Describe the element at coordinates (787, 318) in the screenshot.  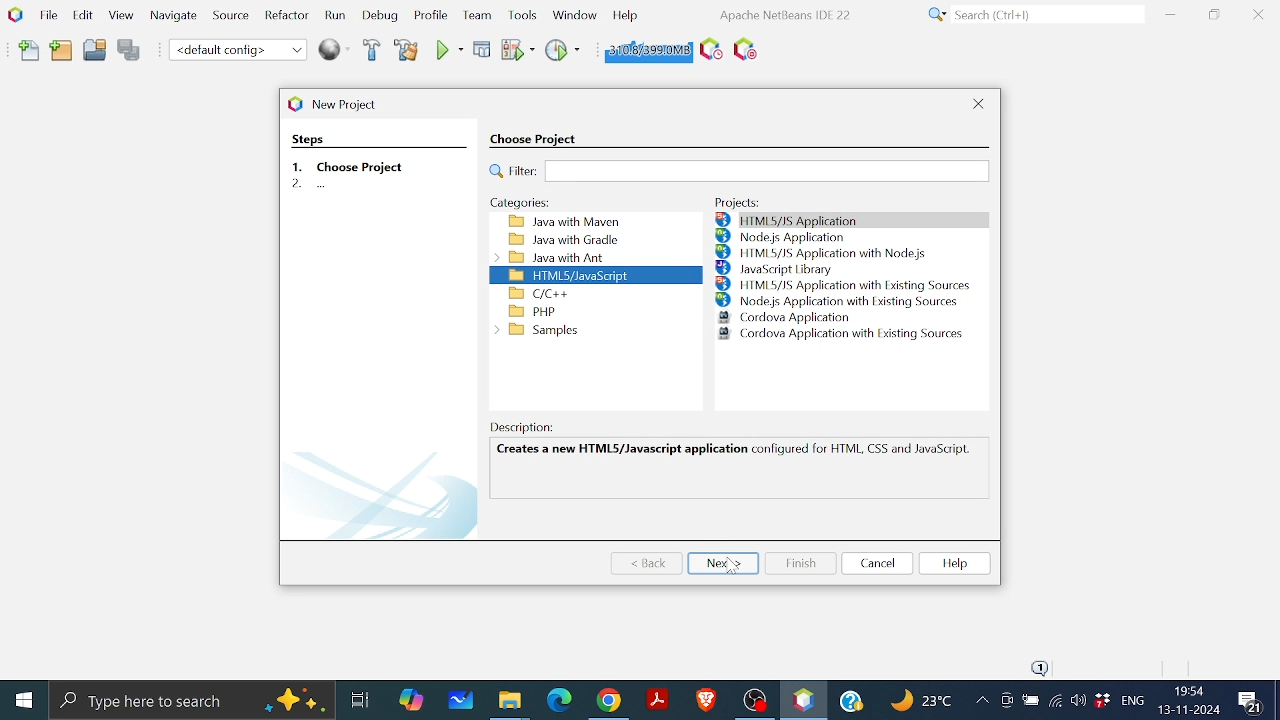
I see `Cordova Application` at that location.